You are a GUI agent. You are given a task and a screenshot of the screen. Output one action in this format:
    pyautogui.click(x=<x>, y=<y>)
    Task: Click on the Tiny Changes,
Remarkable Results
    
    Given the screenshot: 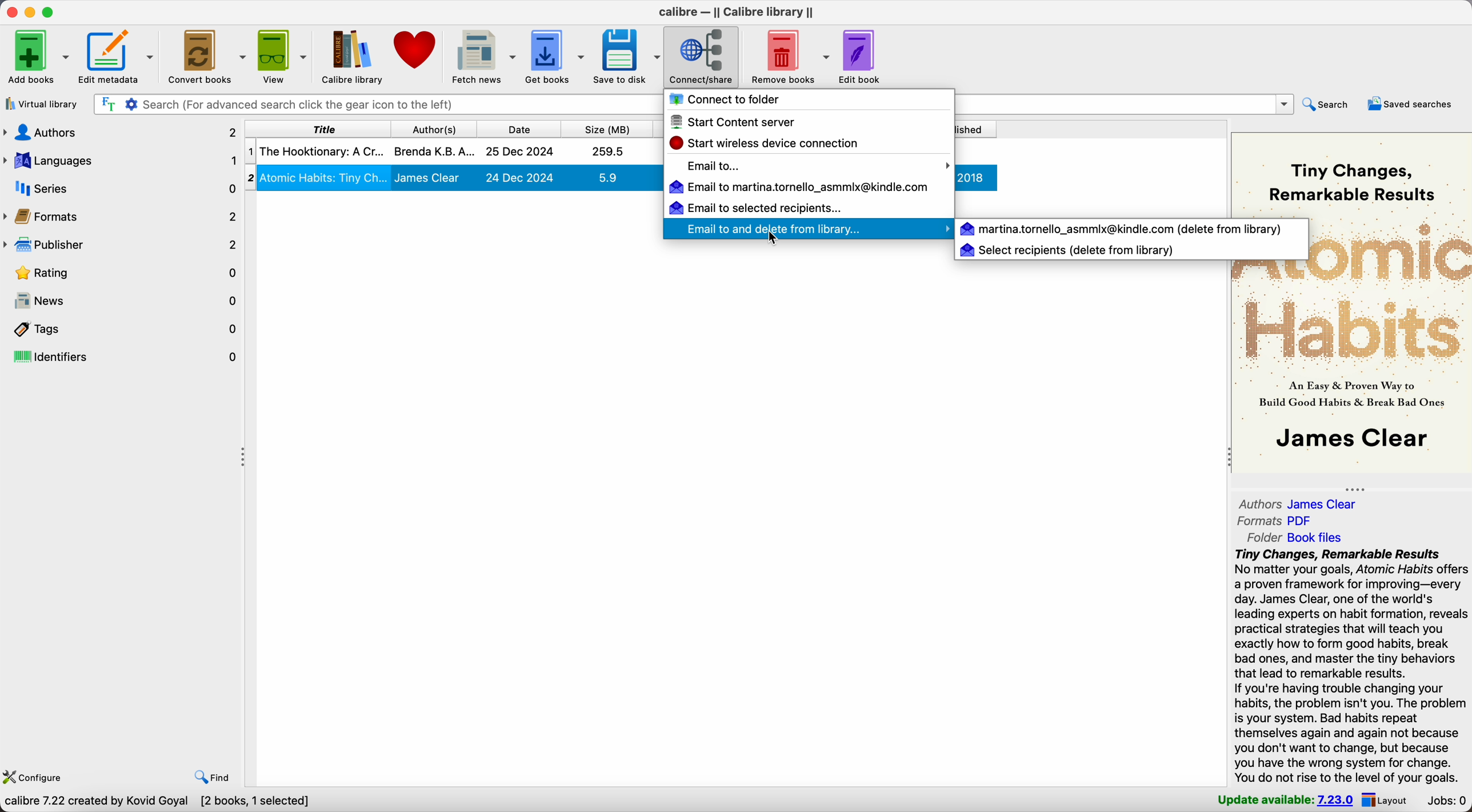 What is the action you would take?
    pyautogui.click(x=1350, y=181)
    